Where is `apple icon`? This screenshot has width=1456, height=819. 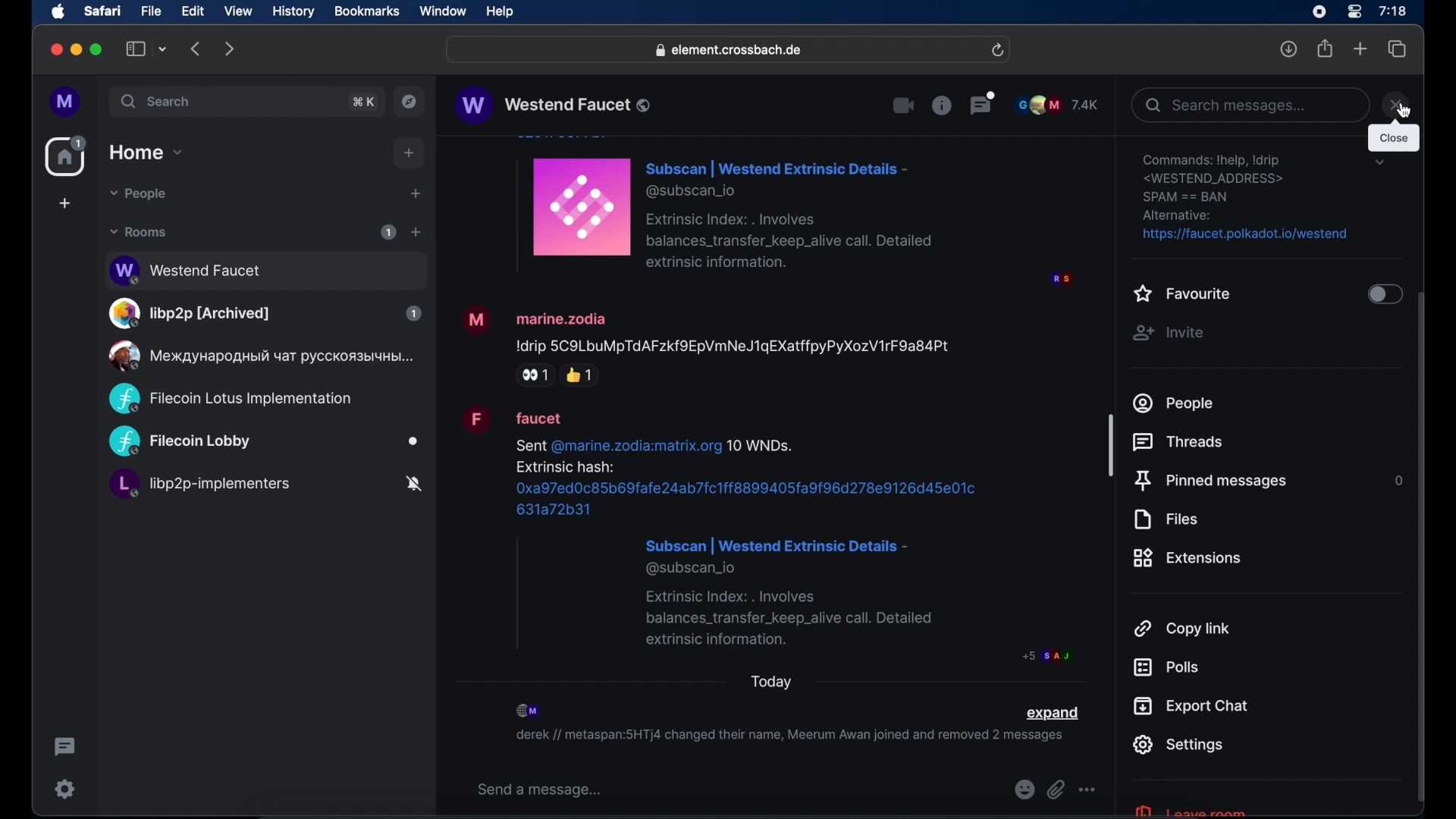
apple icon is located at coordinates (58, 12).